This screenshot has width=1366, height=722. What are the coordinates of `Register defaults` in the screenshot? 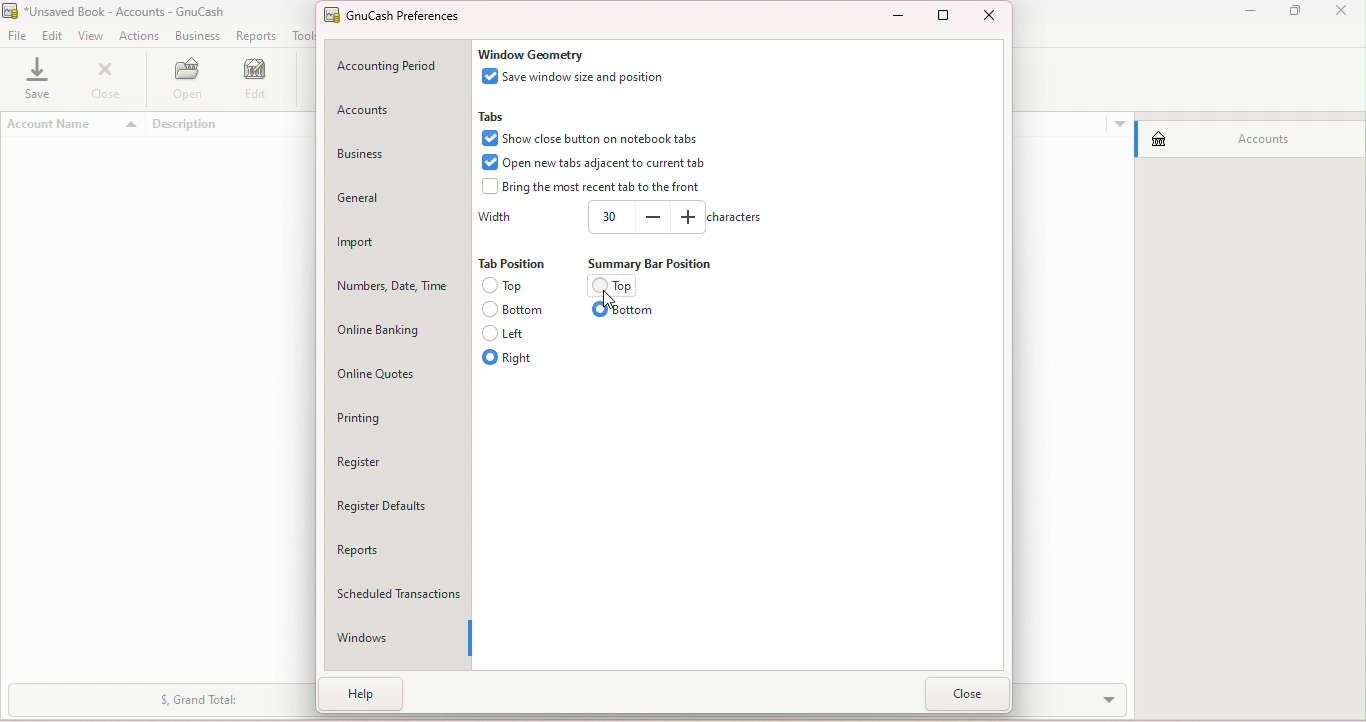 It's located at (400, 507).